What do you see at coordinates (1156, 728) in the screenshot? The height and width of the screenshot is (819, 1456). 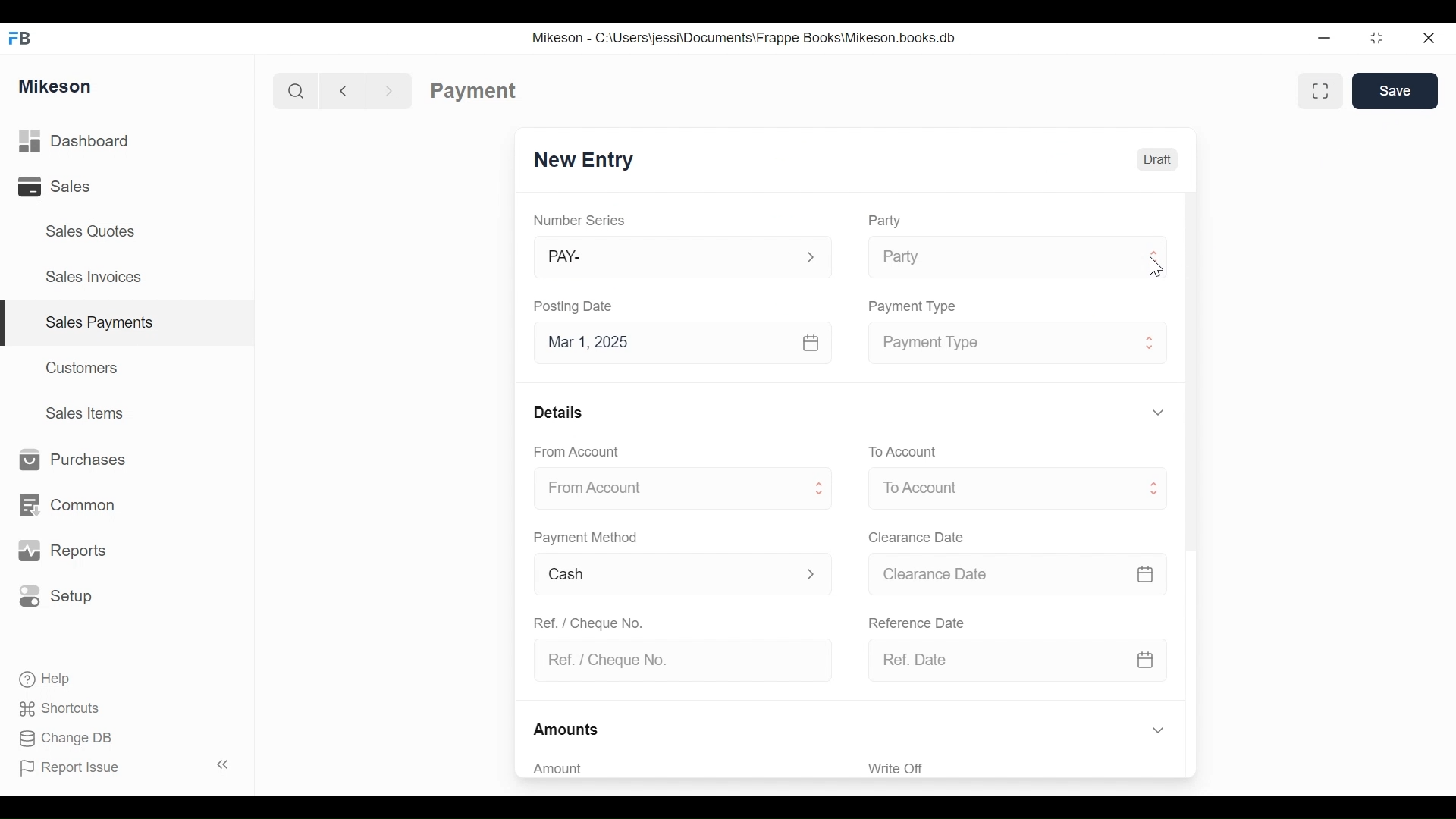 I see `Hide` at bounding box center [1156, 728].